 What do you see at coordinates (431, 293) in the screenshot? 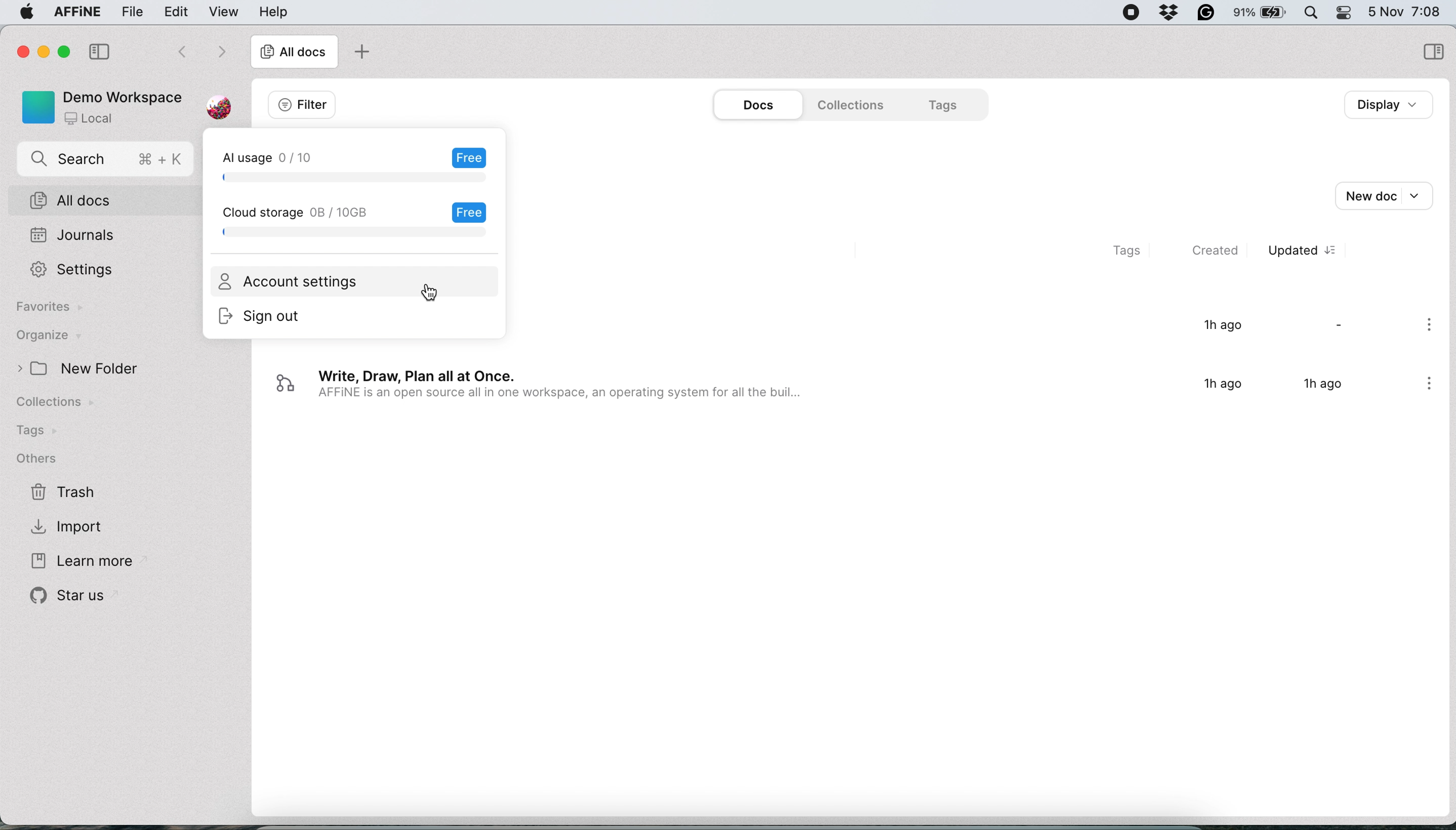
I see `cursor on Account settings` at bounding box center [431, 293].